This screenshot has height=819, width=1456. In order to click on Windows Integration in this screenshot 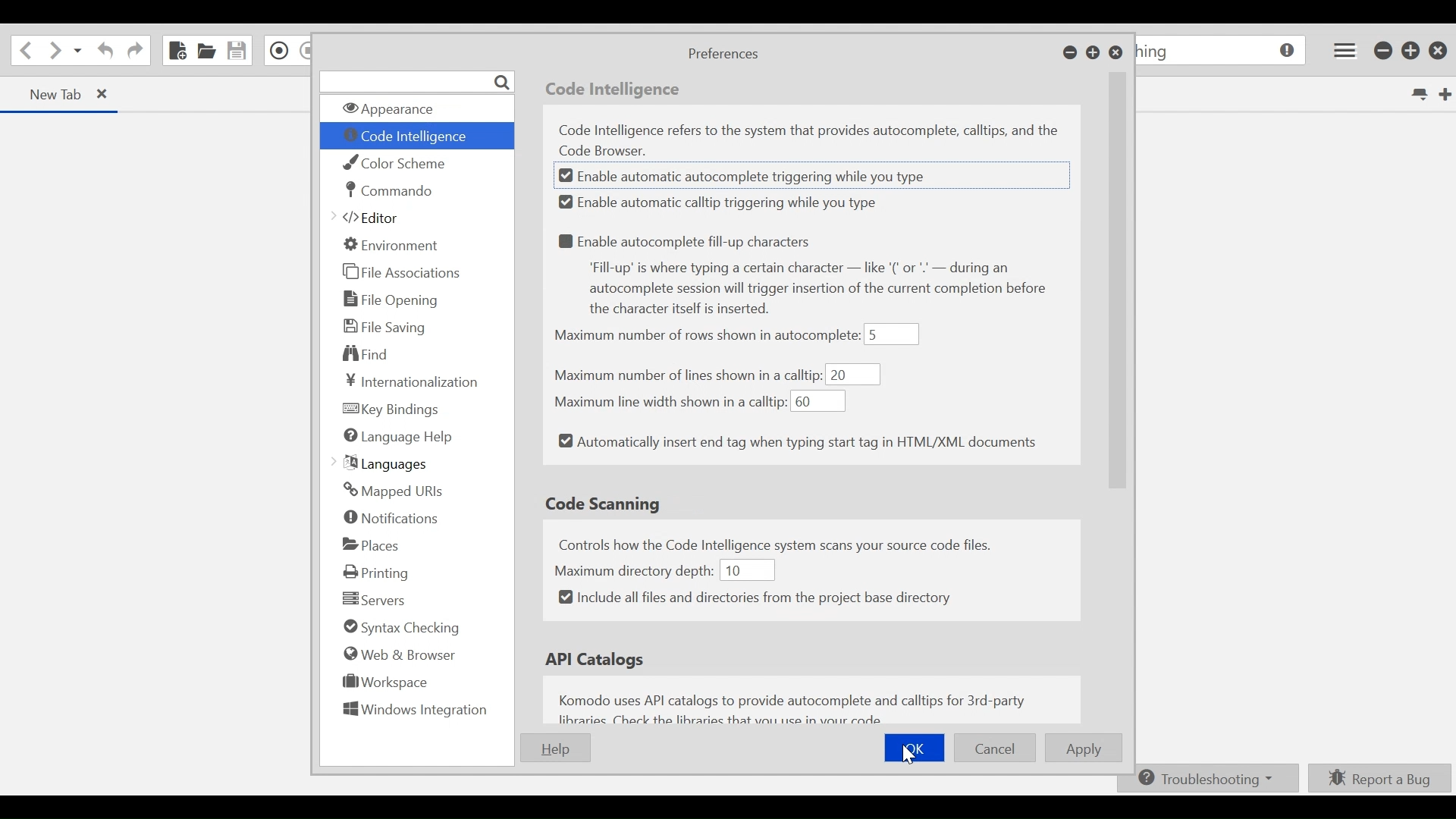, I will do `click(415, 713)`.